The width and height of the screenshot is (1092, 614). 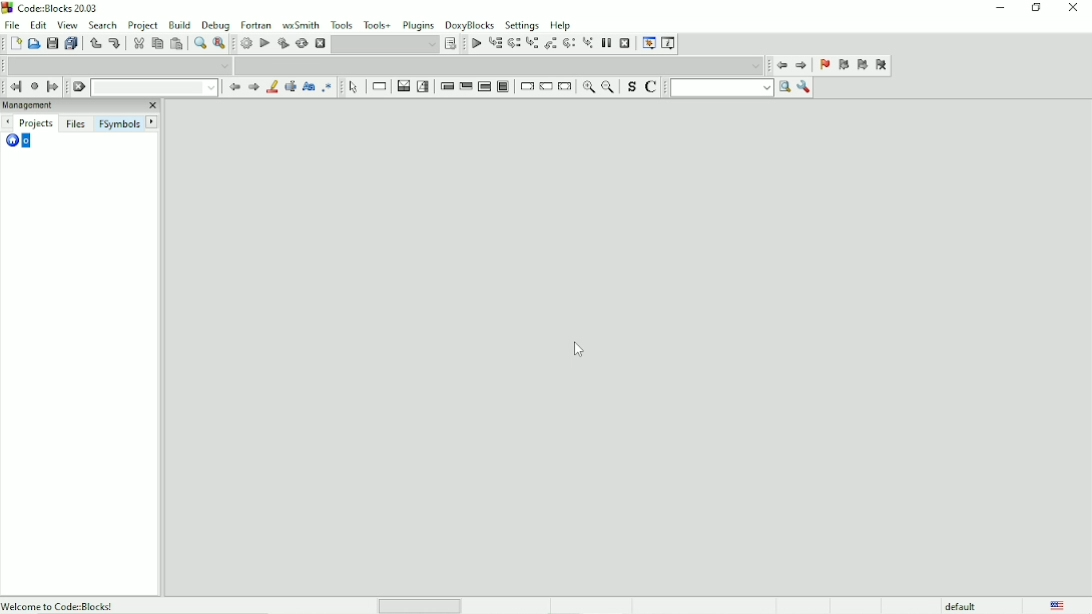 What do you see at coordinates (16, 44) in the screenshot?
I see `New File` at bounding box center [16, 44].